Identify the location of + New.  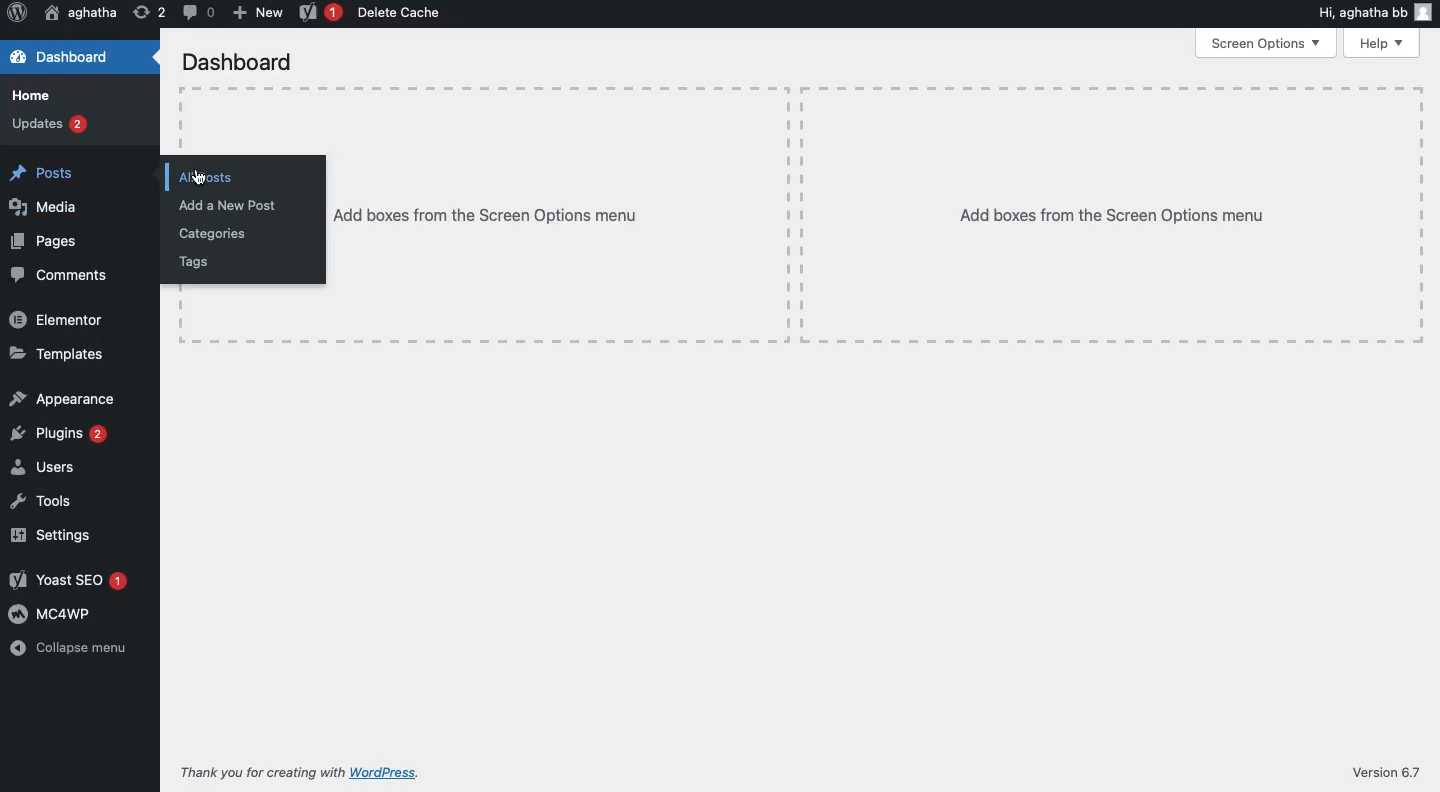
(257, 12).